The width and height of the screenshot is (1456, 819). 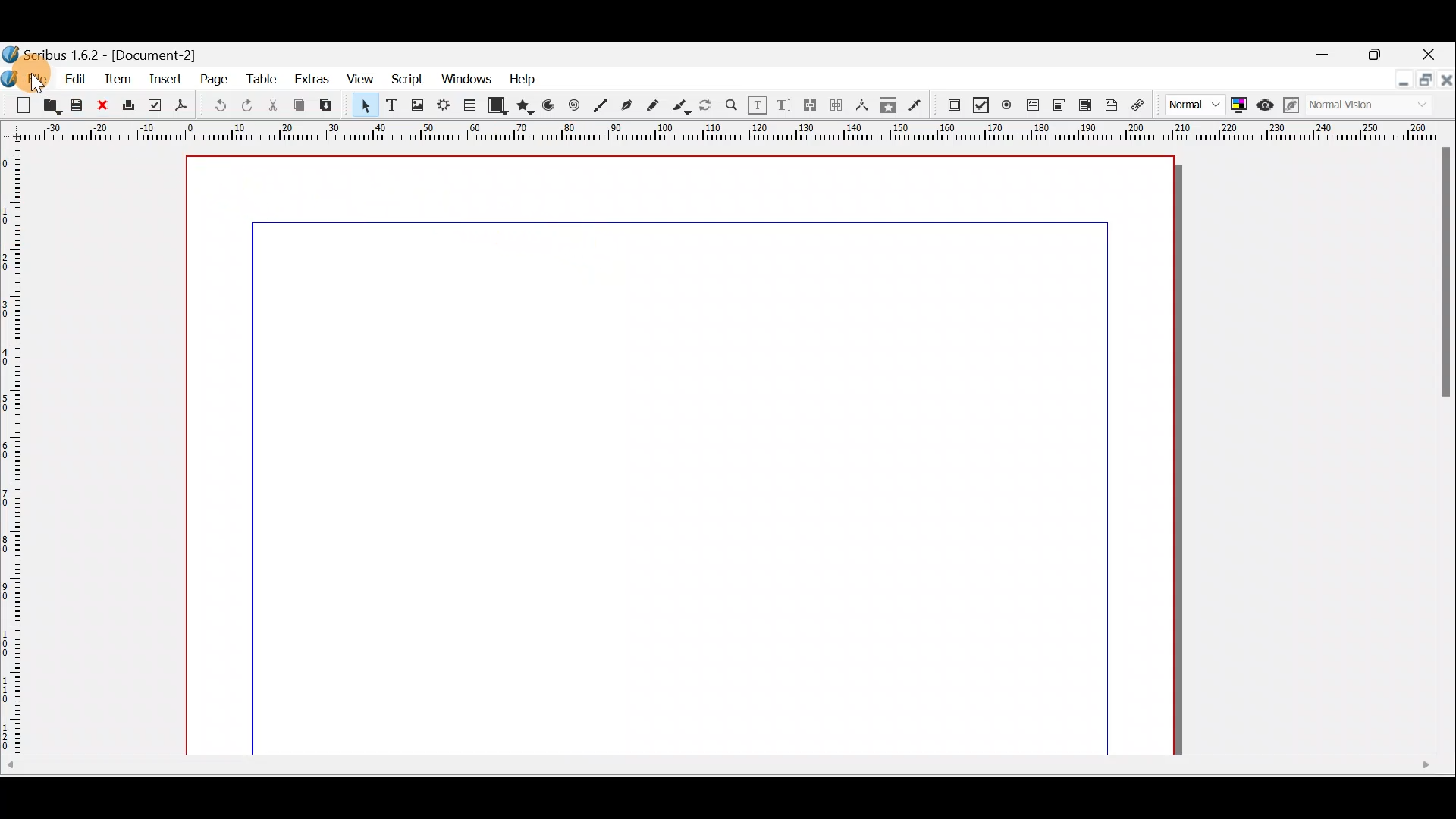 What do you see at coordinates (27, 77) in the screenshot?
I see `File` at bounding box center [27, 77].